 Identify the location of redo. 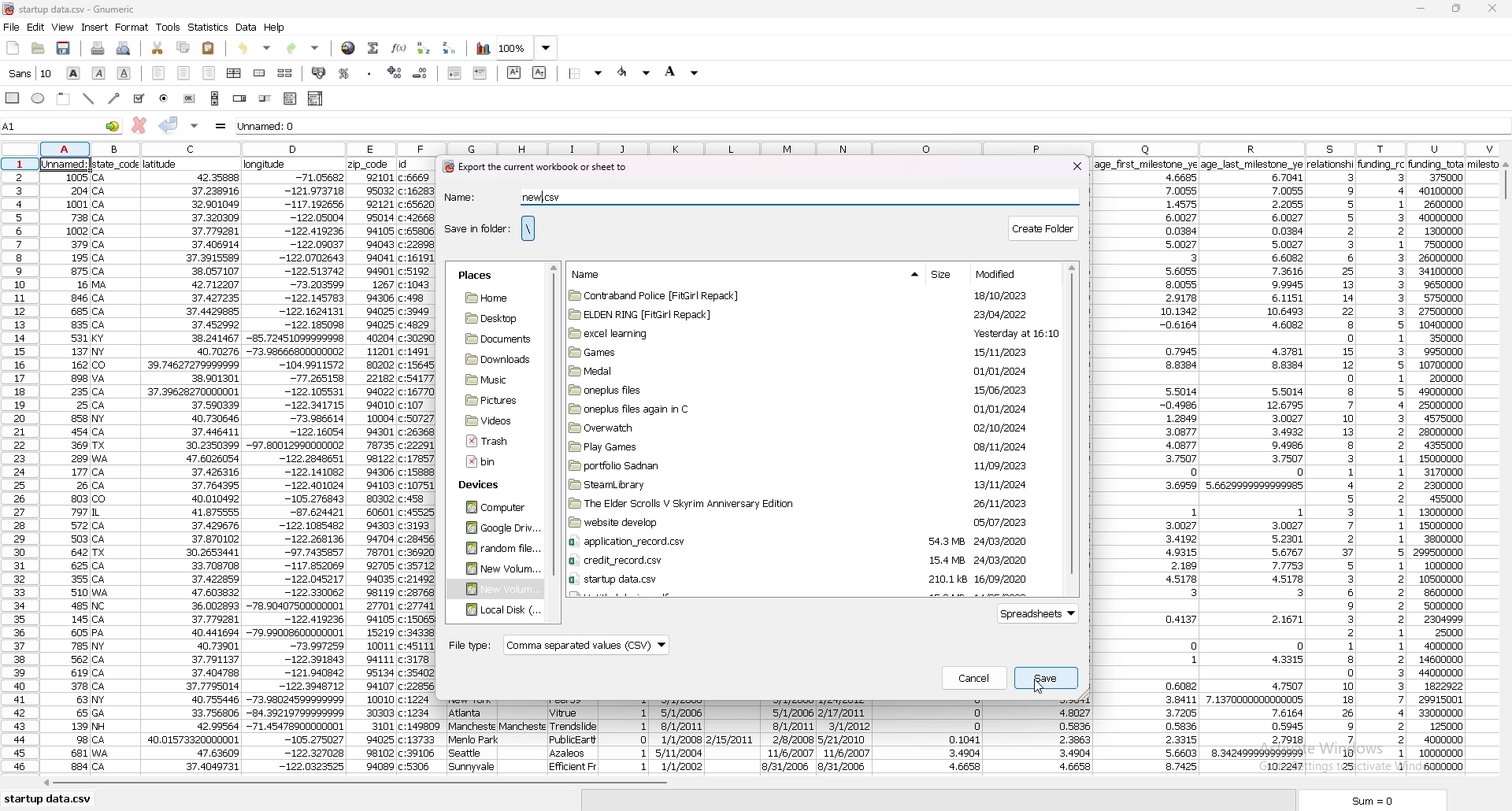
(303, 47).